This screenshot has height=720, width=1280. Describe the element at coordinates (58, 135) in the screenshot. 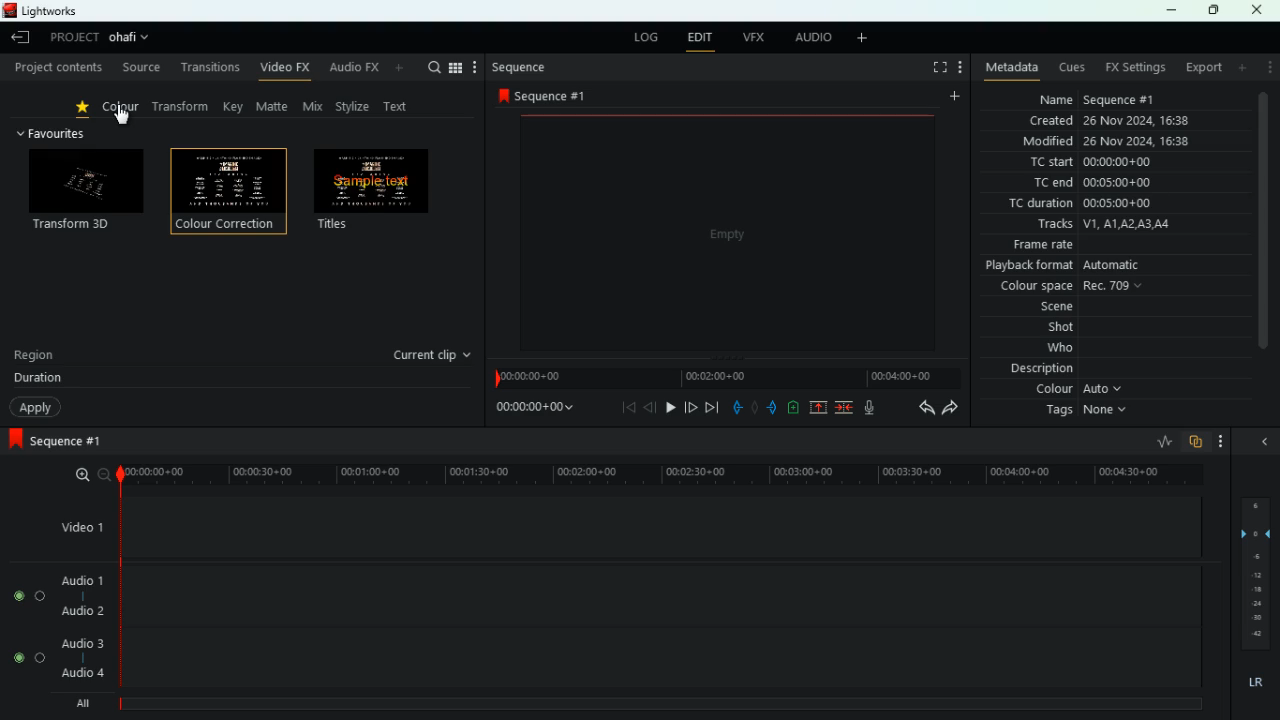

I see `favourites` at that location.